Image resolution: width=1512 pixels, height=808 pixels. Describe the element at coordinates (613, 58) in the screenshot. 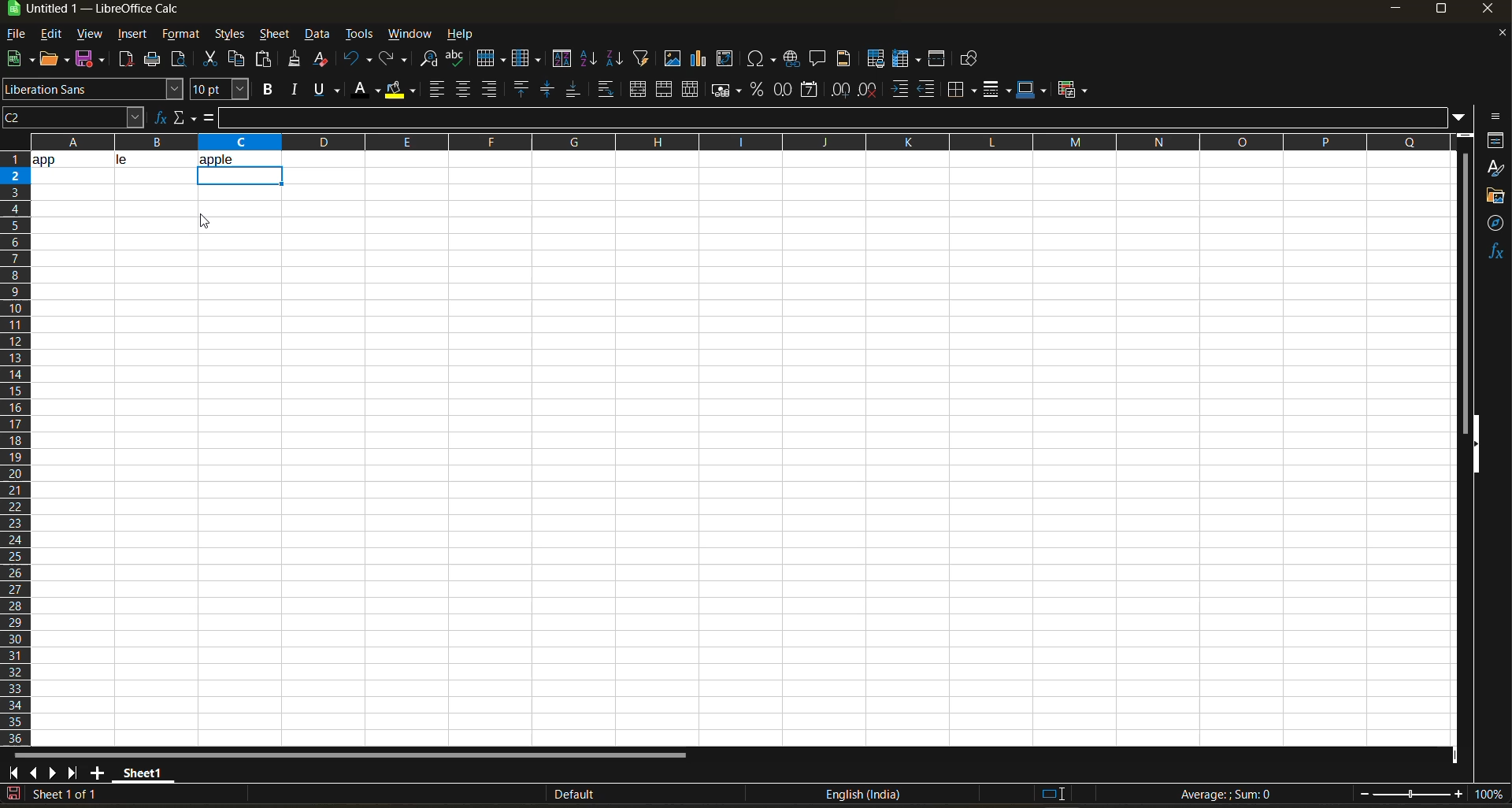

I see `sort descending` at that location.